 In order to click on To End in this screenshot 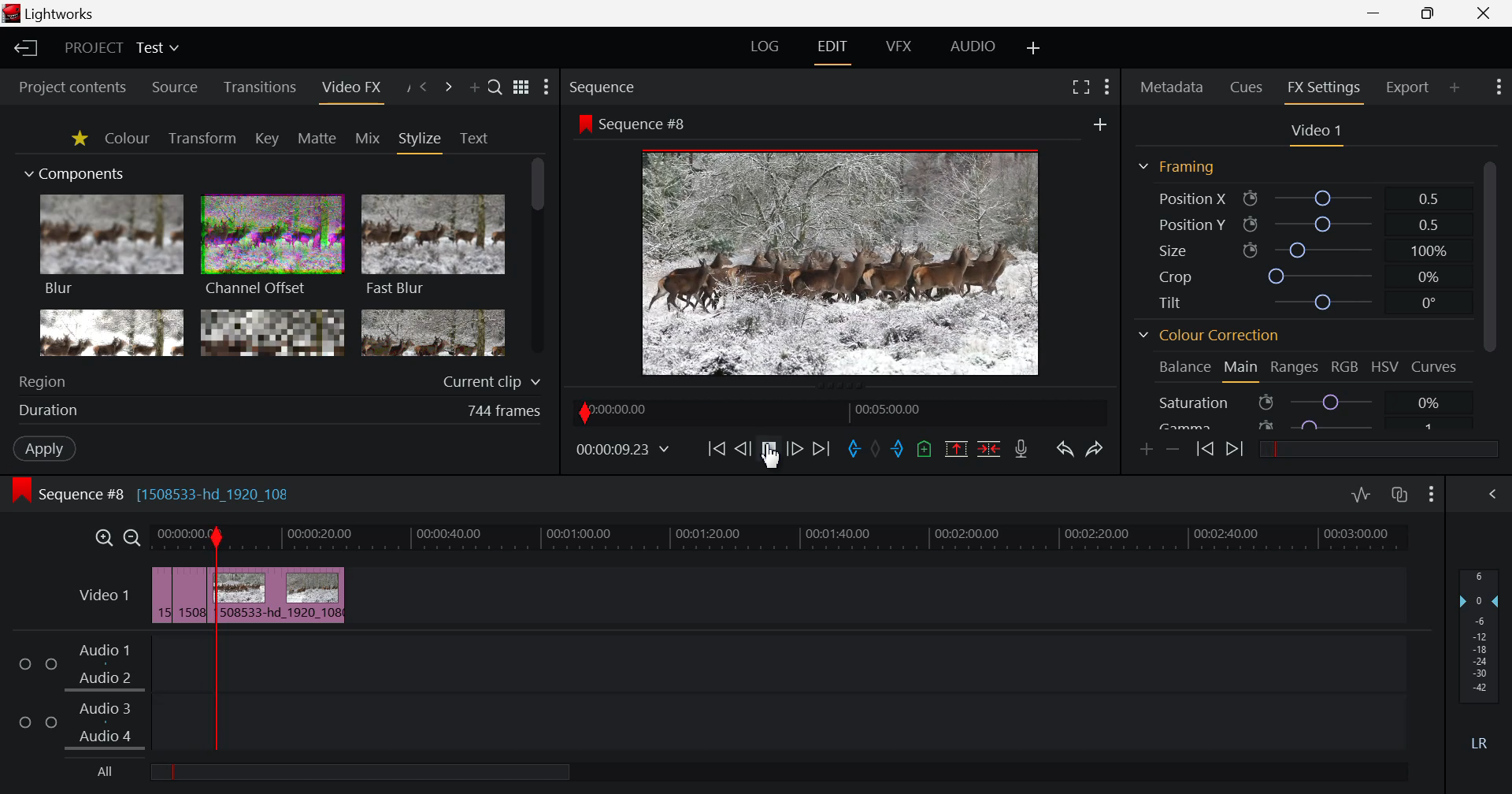, I will do `click(821, 450)`.